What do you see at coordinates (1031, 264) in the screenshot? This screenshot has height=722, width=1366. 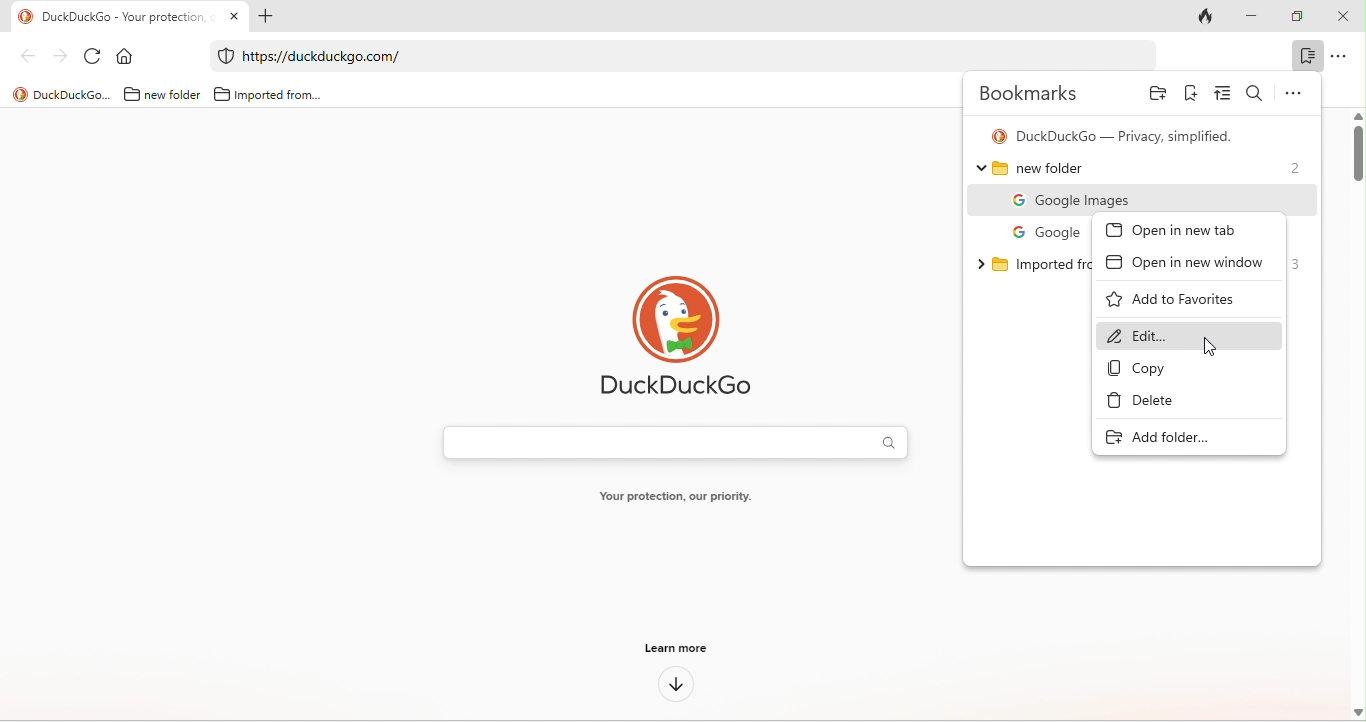 I see `imported from chromium` at bounding box center [1031, 264].